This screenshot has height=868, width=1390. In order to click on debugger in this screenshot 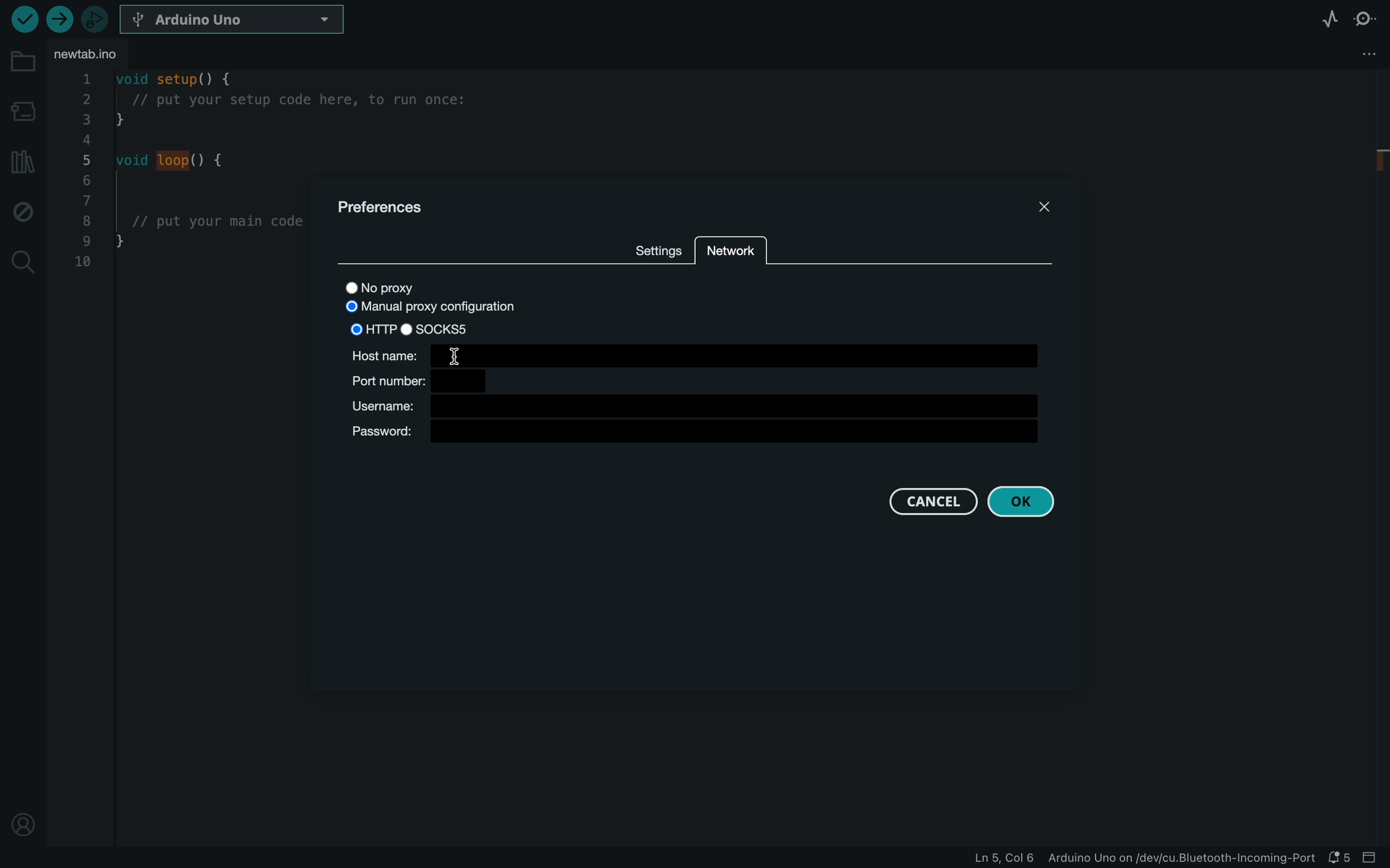, I will do `click(96, 18)`.